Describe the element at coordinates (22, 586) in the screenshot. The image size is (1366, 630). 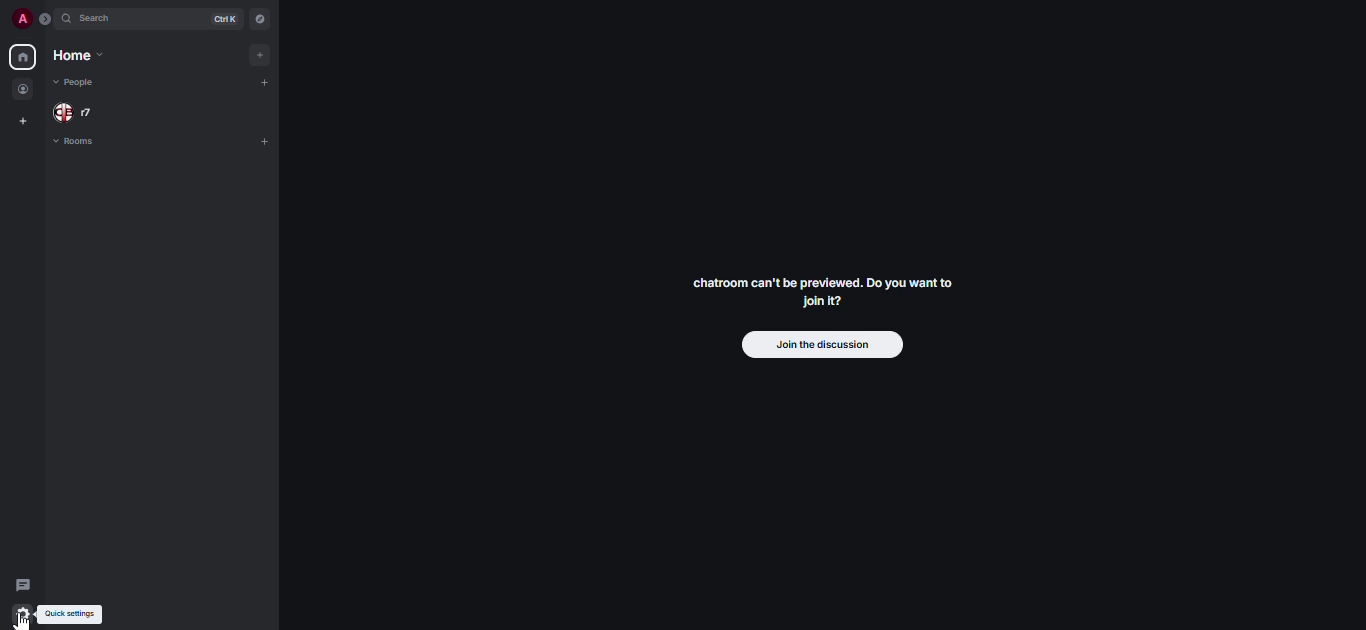
I see `threads` at that location.